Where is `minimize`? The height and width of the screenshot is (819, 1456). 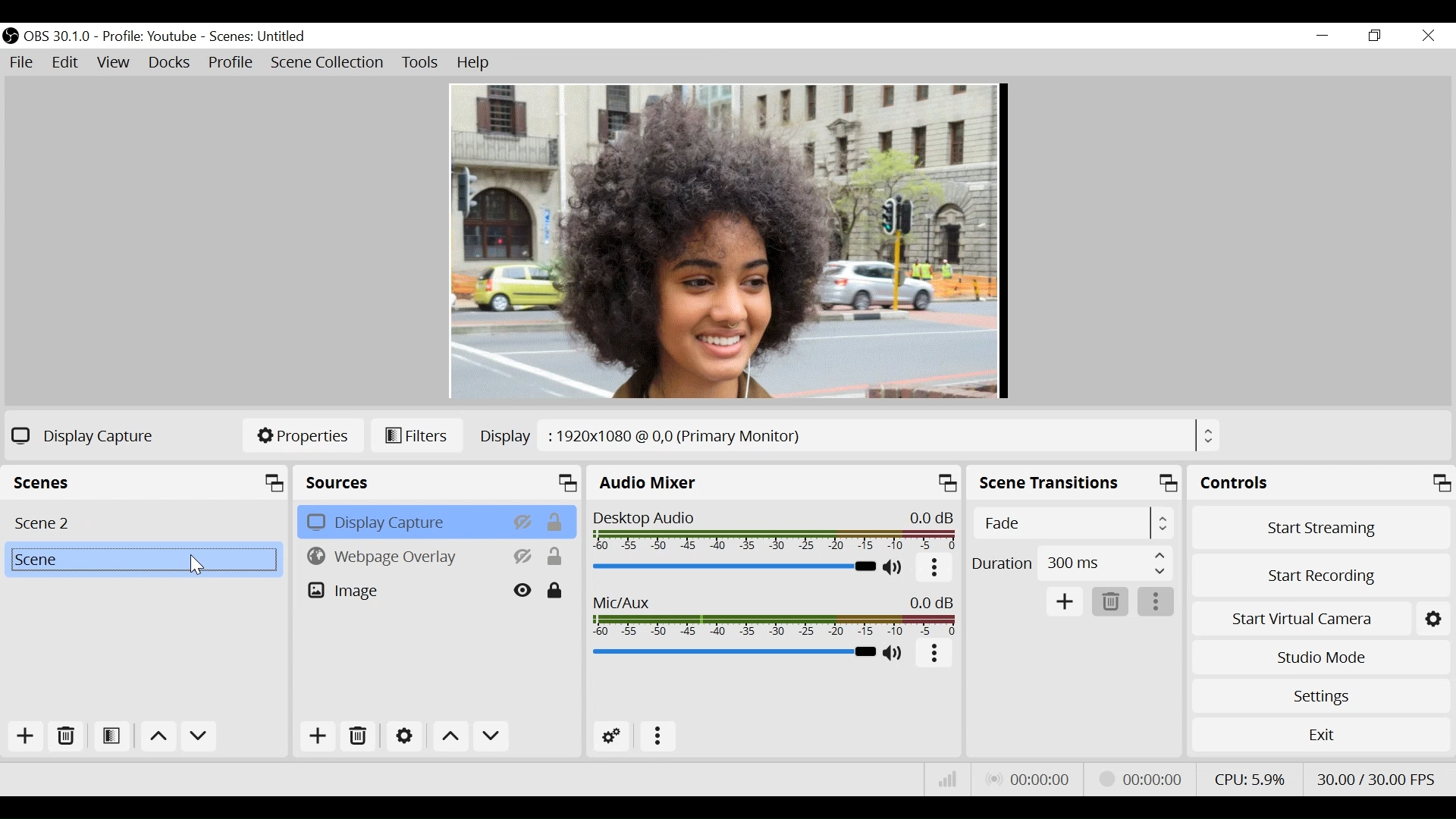 minimize is located at coordinates (1321, 35).